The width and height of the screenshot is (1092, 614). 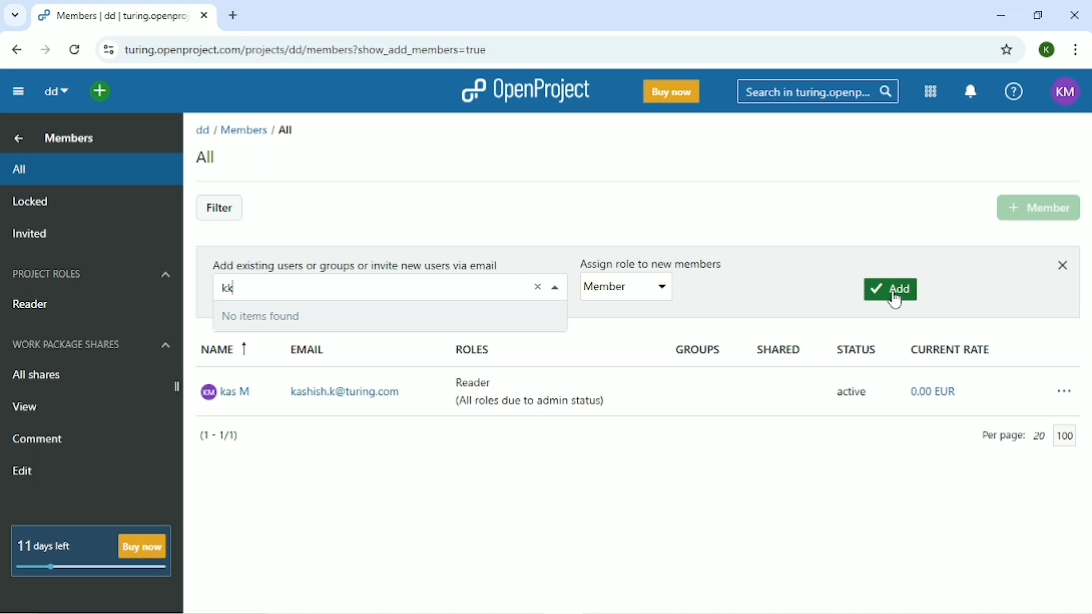 What do you see at coordinates (700, 350) in the screenshot?
I see `Groups` at bounding box center [700, 350].